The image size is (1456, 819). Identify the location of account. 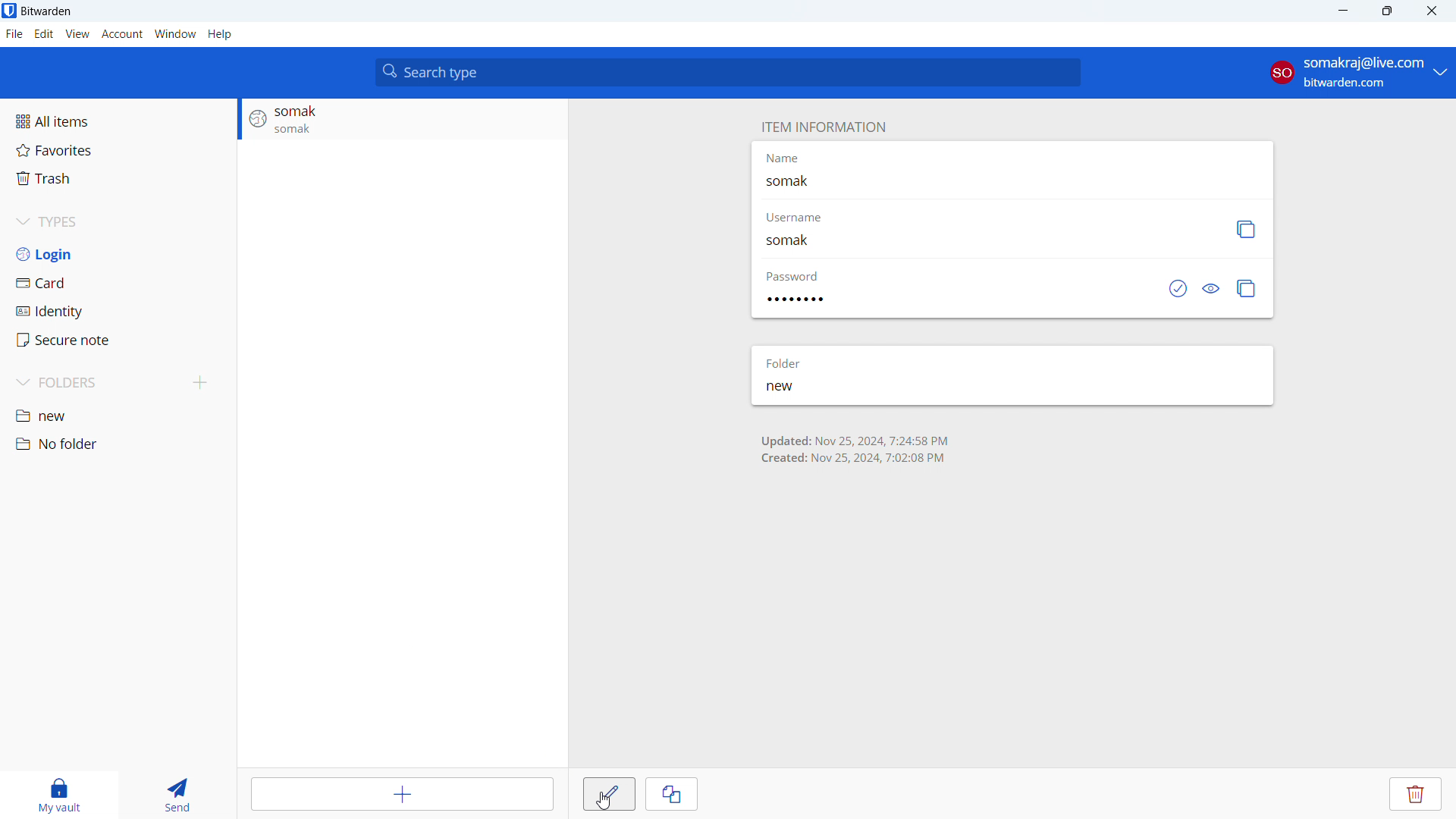
(1356, 73).